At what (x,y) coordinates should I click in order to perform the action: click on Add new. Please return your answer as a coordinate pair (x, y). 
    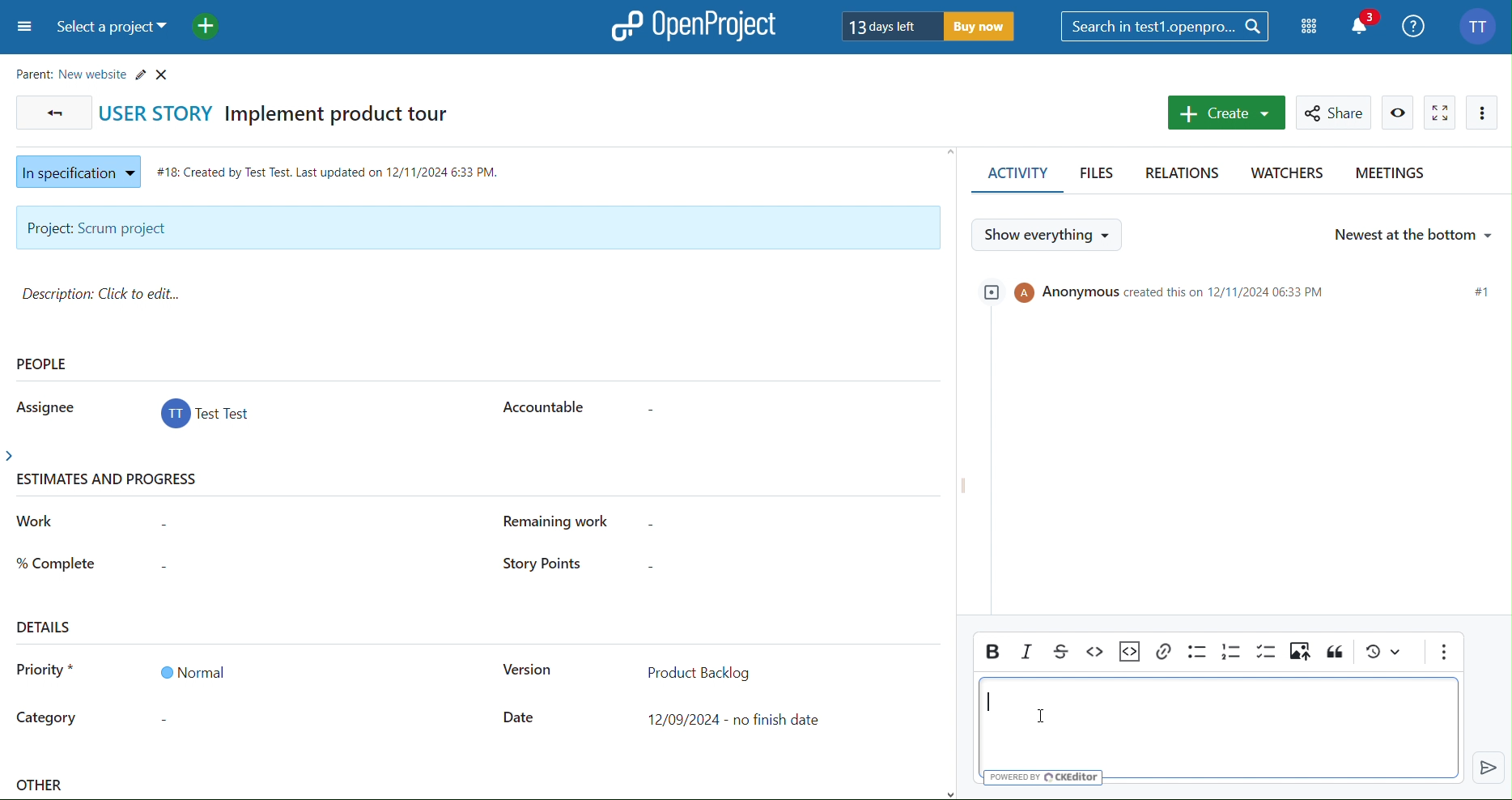
    Looking at the image, I should click on (207, 26).